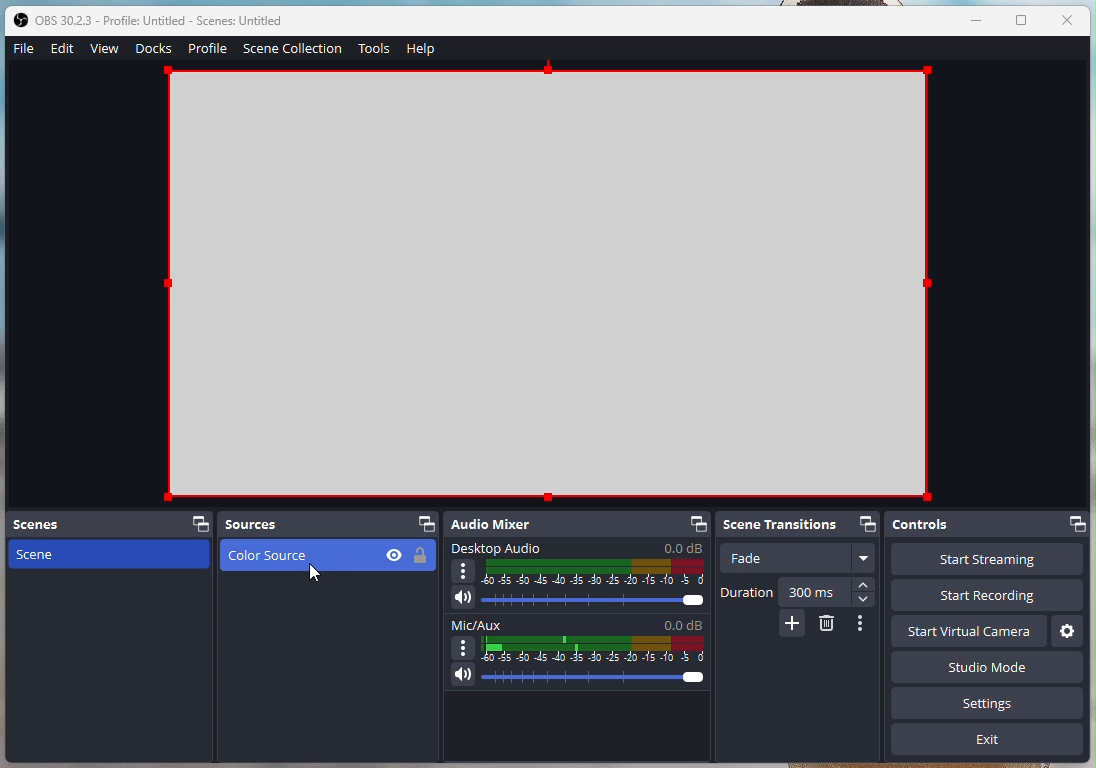 The image size is (1096, 768). I want to click on Start Streaming, so click(986, 561).